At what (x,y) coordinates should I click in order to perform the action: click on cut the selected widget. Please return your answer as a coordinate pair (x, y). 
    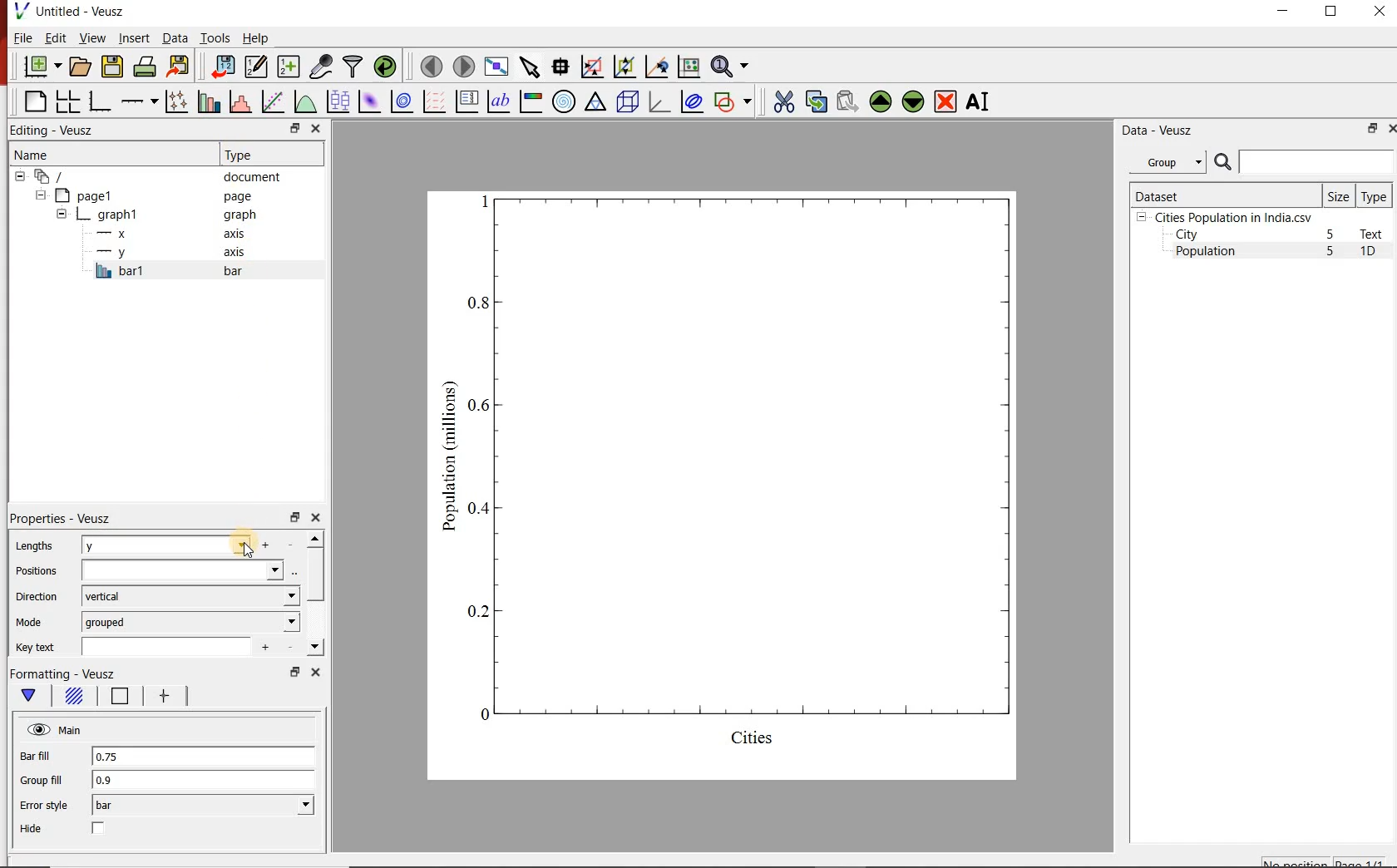
    Looking at the image, I should click on (781, 101).